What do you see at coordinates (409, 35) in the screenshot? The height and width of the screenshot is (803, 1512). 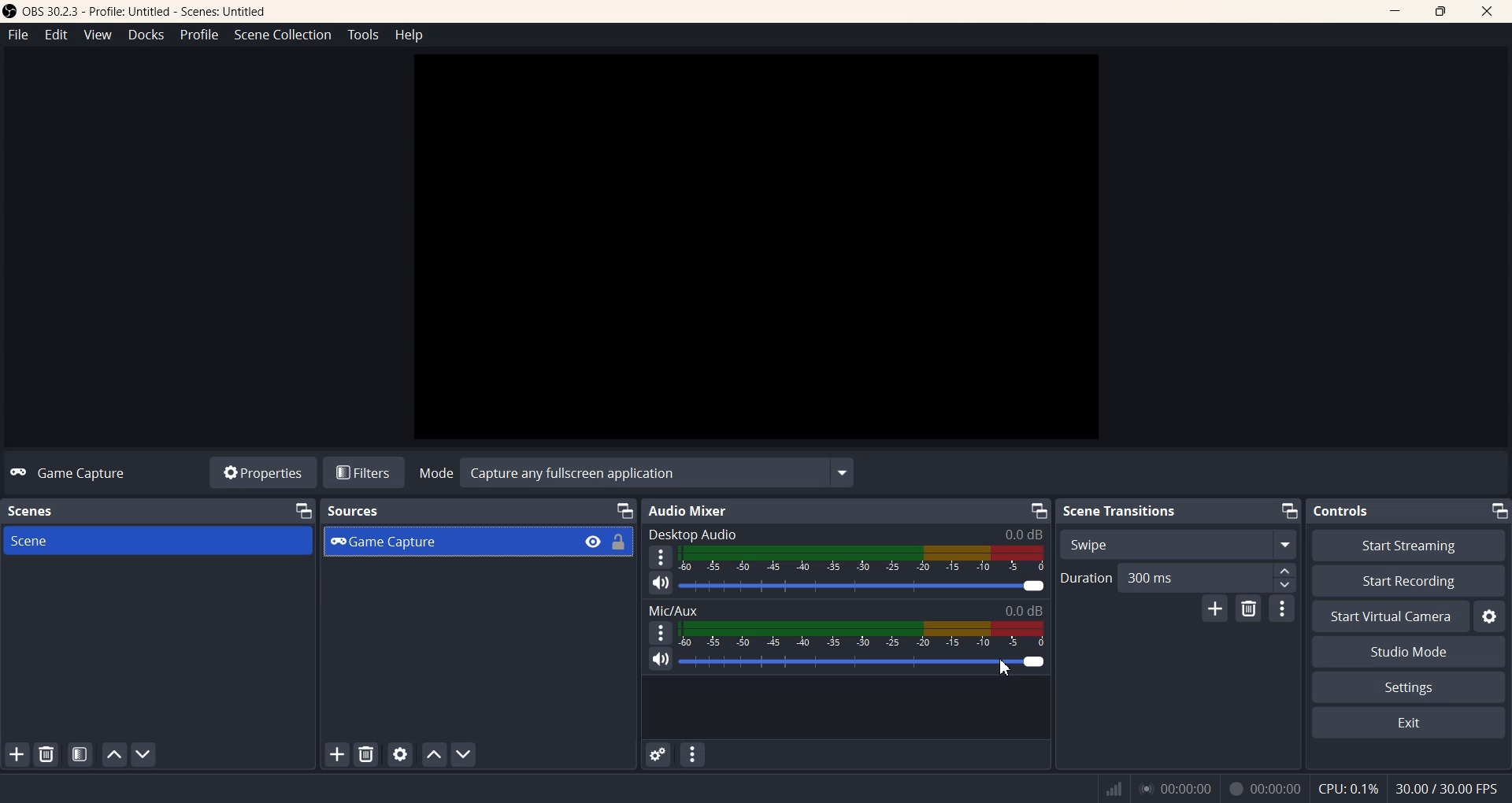 I see `Help` at bounding box center [409, 35].